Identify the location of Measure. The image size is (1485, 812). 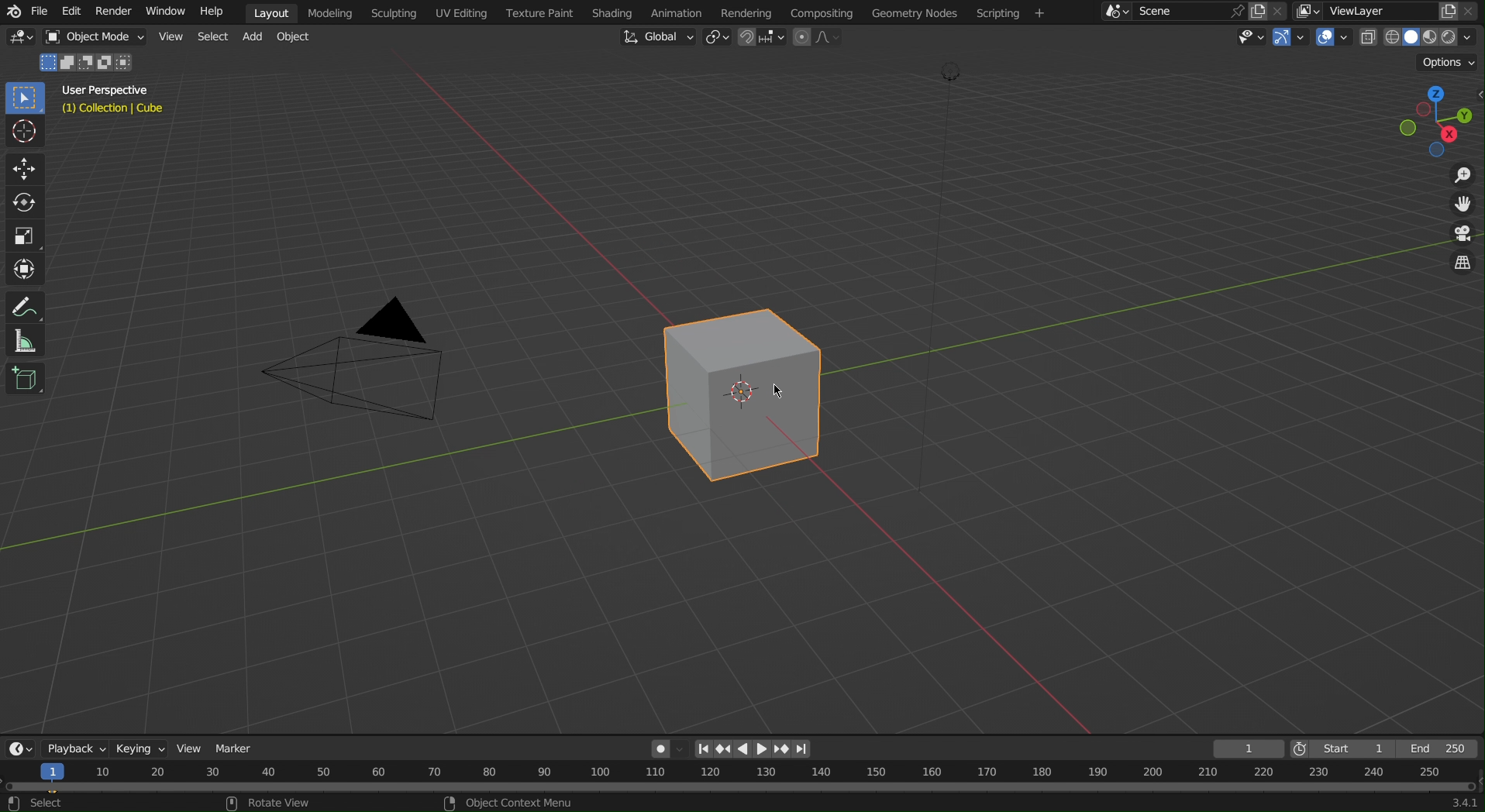
(26, 341).